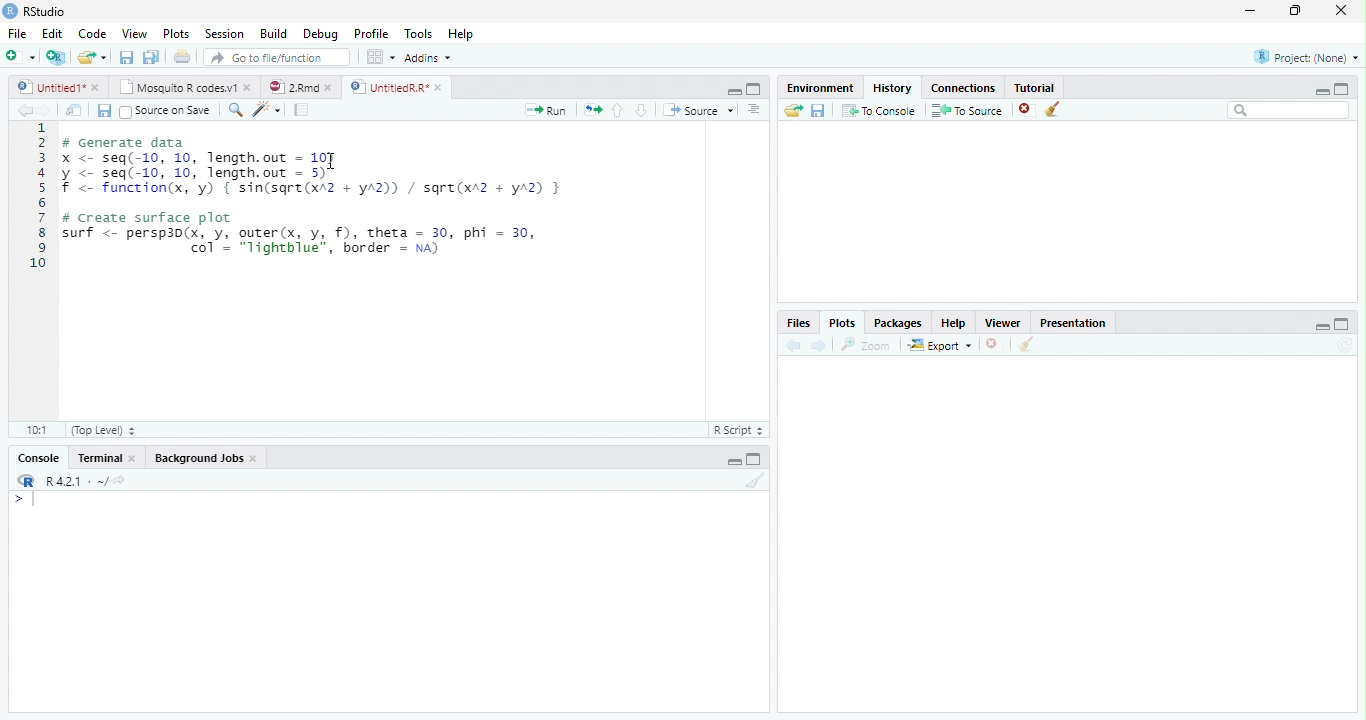 This screenshot has width=1366, height=720. Describe the element at coordinates (996, 344) in the screenshot. I see `Remove current plot` at that location.